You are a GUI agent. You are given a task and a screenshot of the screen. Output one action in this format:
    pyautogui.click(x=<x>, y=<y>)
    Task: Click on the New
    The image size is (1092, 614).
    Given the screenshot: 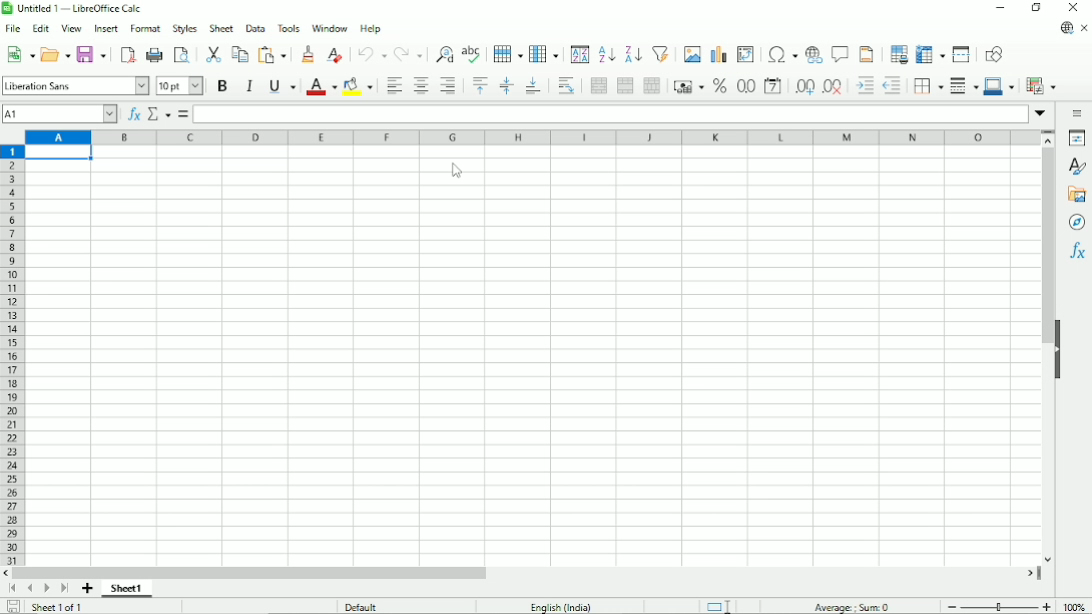 What is the action you would take?
    pyautogui.click(x=19, y=56)
    